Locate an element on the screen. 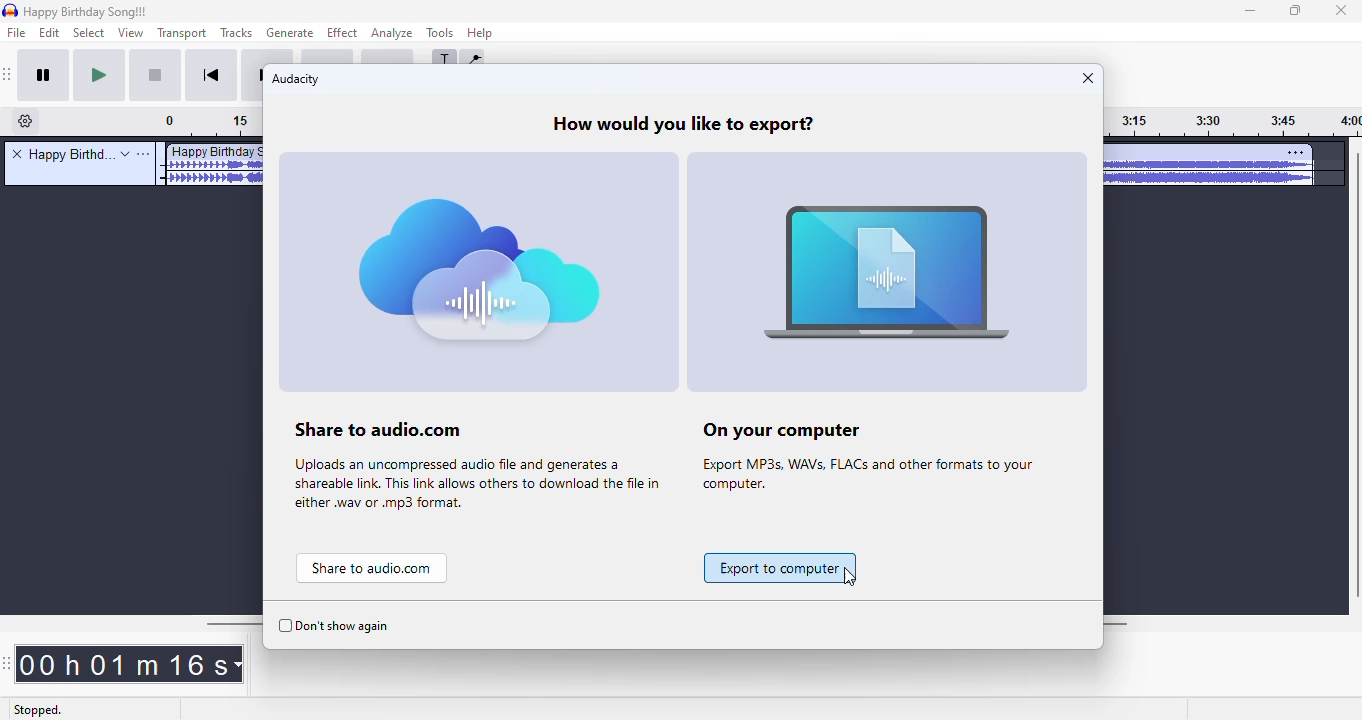  pause is located at coordinates (47, 77).